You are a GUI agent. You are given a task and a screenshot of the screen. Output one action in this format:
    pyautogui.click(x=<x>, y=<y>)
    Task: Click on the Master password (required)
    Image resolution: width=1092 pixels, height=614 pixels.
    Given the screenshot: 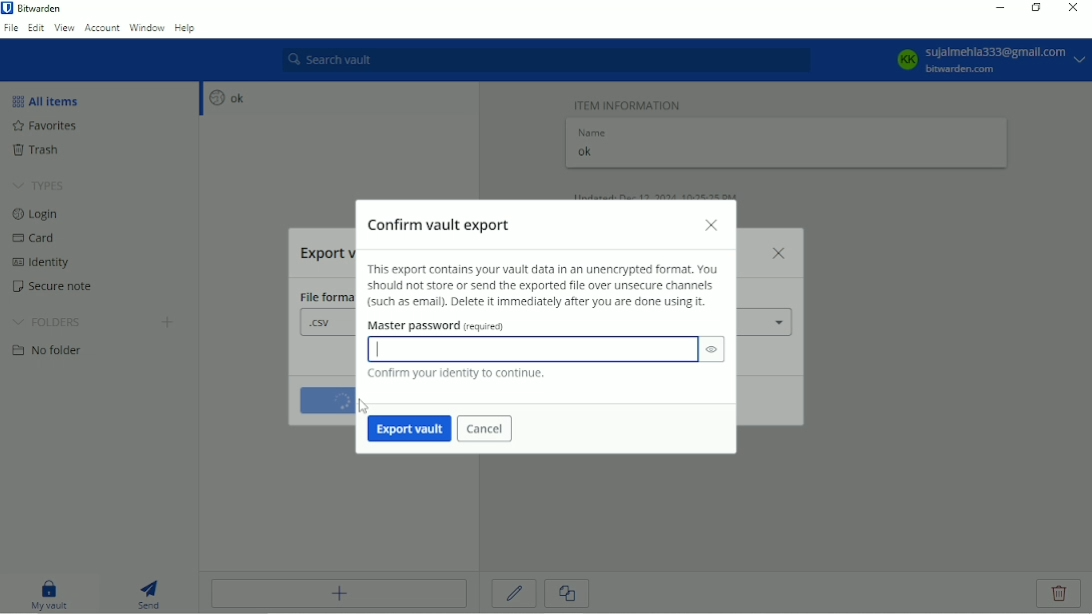 What is the action you would take?
    pyautogui.click(x=444, y=328)
    